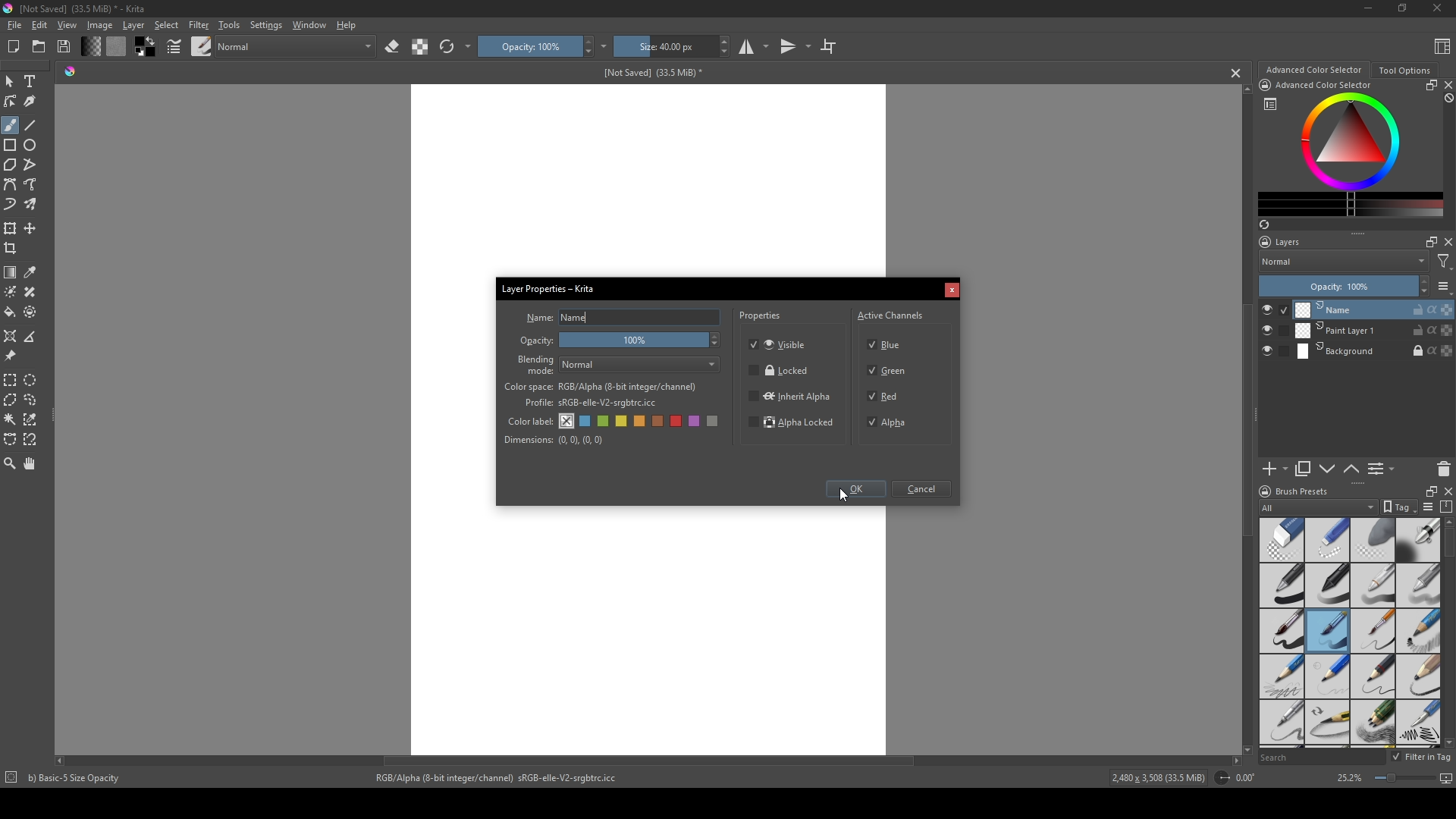 This screenshot has height=819, width=1456. I want to click on move layer, so click(30, 228).